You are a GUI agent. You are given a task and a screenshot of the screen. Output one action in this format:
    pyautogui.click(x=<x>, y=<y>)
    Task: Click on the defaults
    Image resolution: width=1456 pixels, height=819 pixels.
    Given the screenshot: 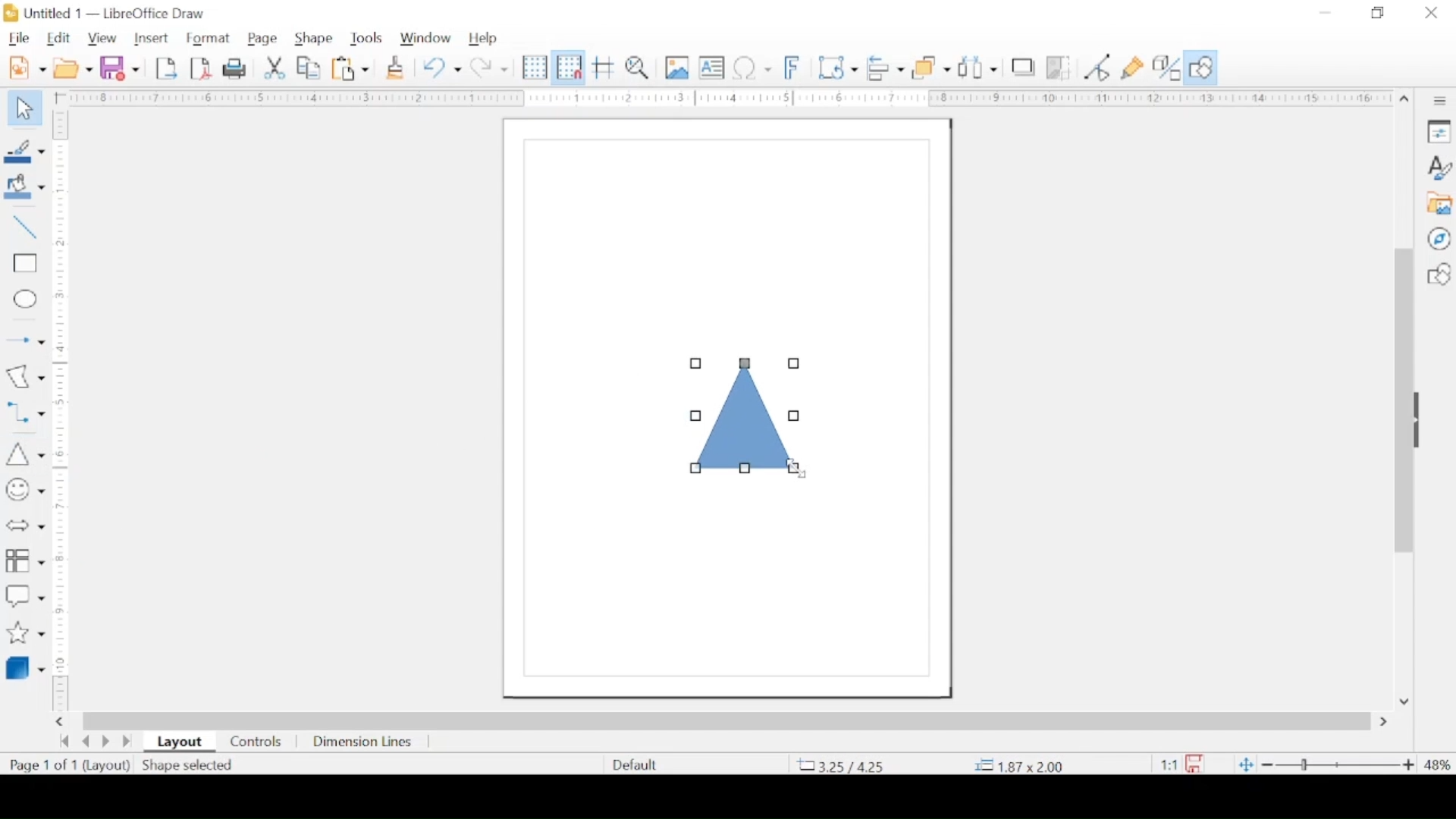 What is the action you would take?
    pyautogui.click(x=633, y=763)
    